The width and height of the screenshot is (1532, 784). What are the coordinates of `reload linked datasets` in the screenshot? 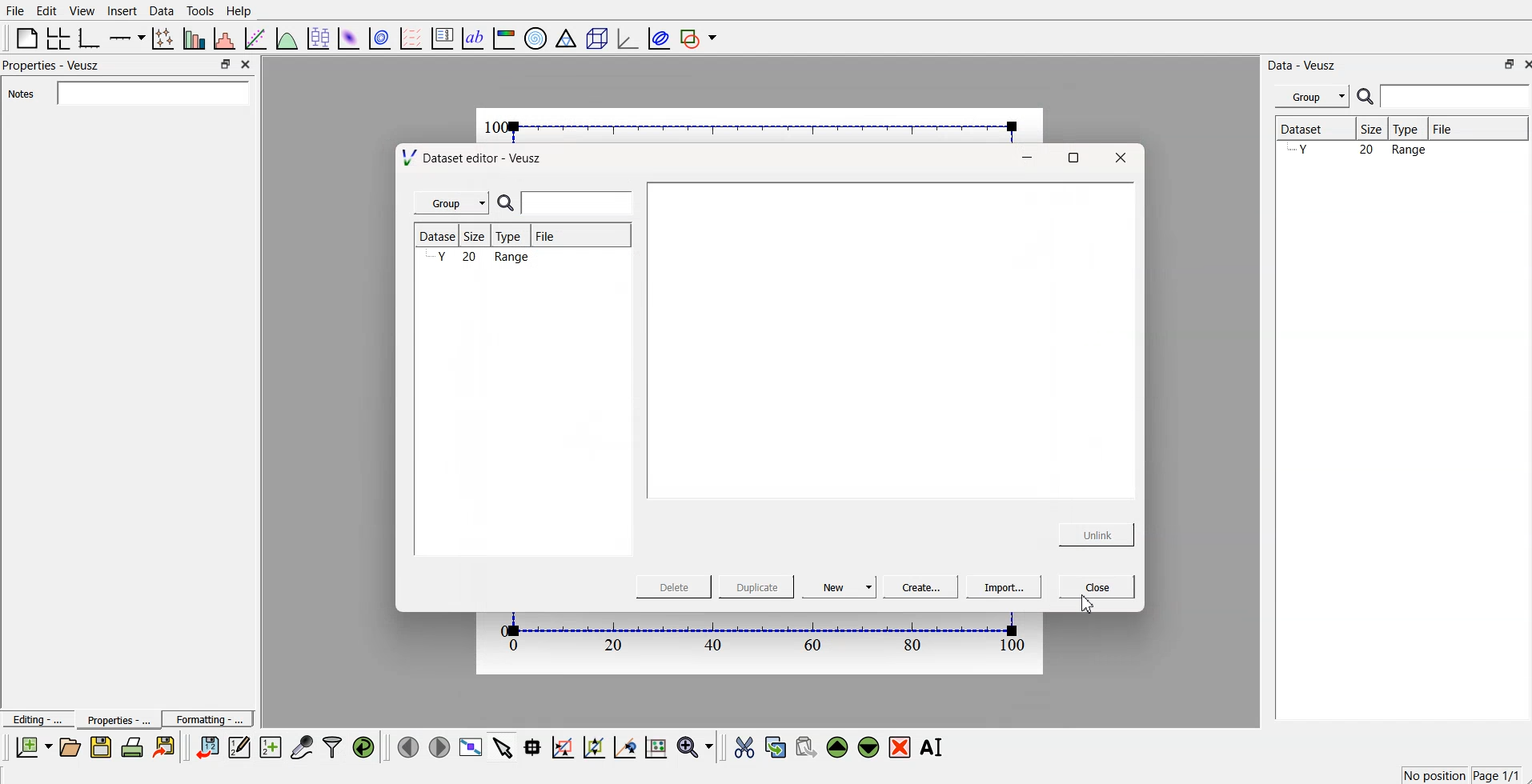 It's located at (366, 746).